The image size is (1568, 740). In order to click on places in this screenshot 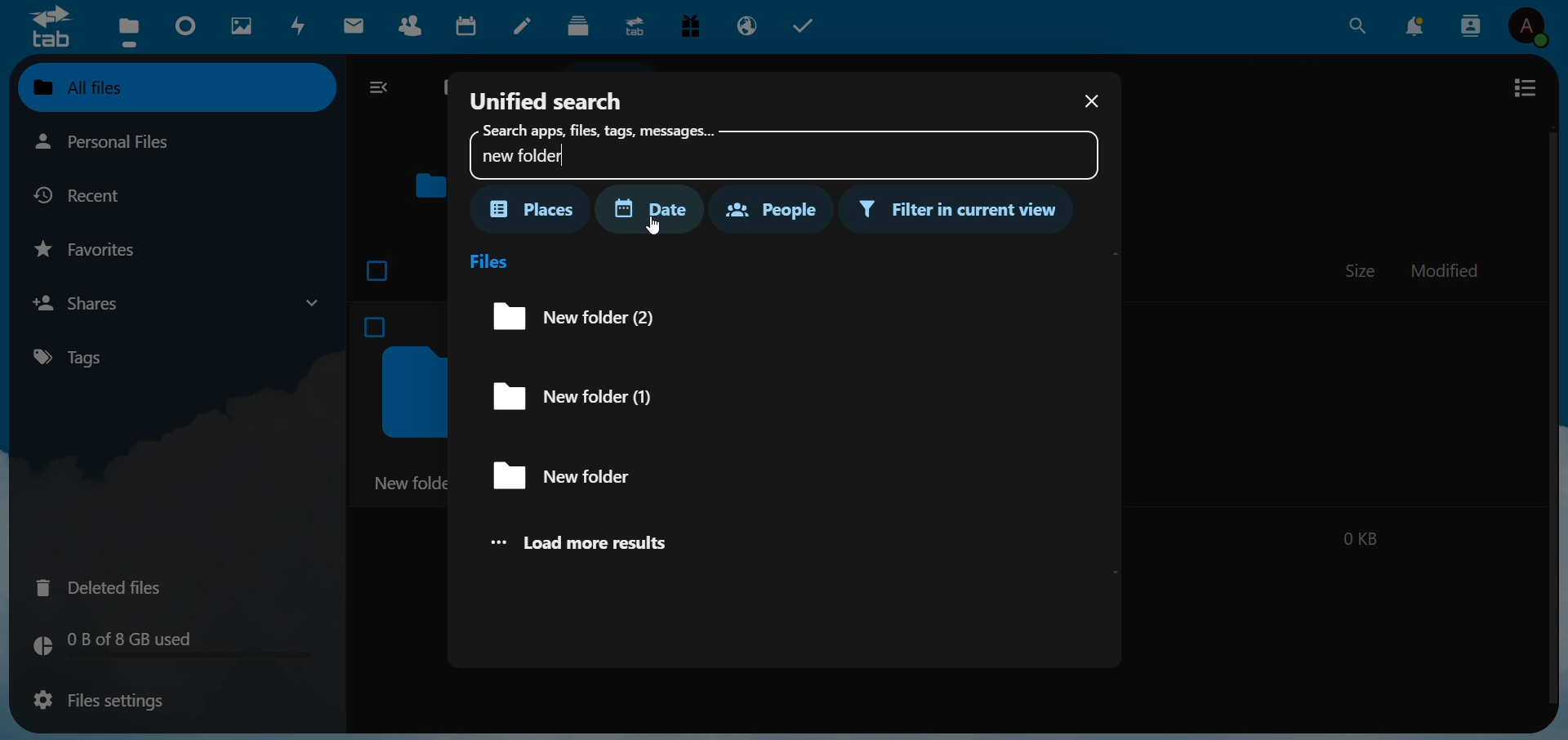, I will do `click(533, 209)`.